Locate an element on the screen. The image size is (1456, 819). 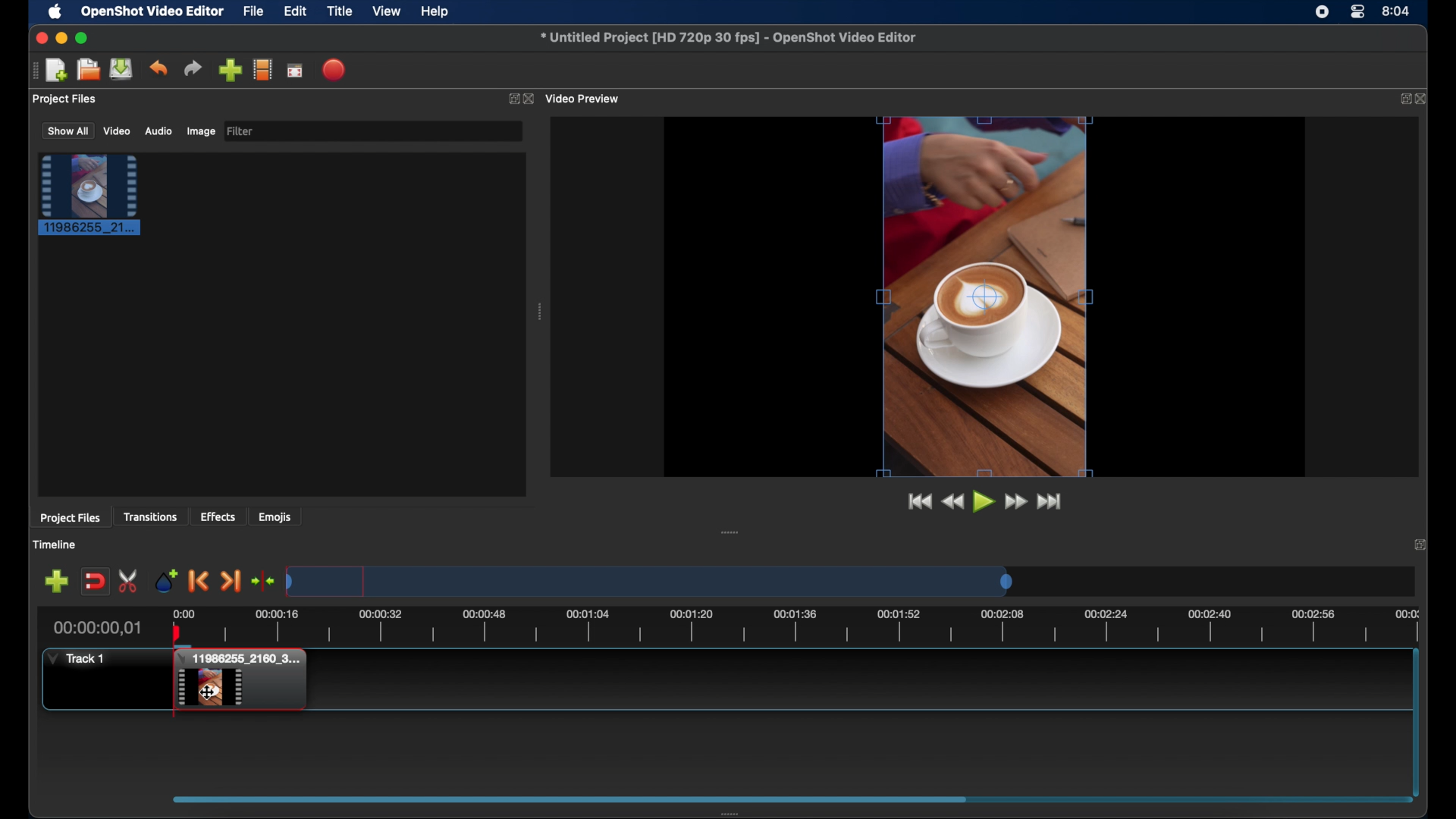
image is located at coordinates (200, 131).